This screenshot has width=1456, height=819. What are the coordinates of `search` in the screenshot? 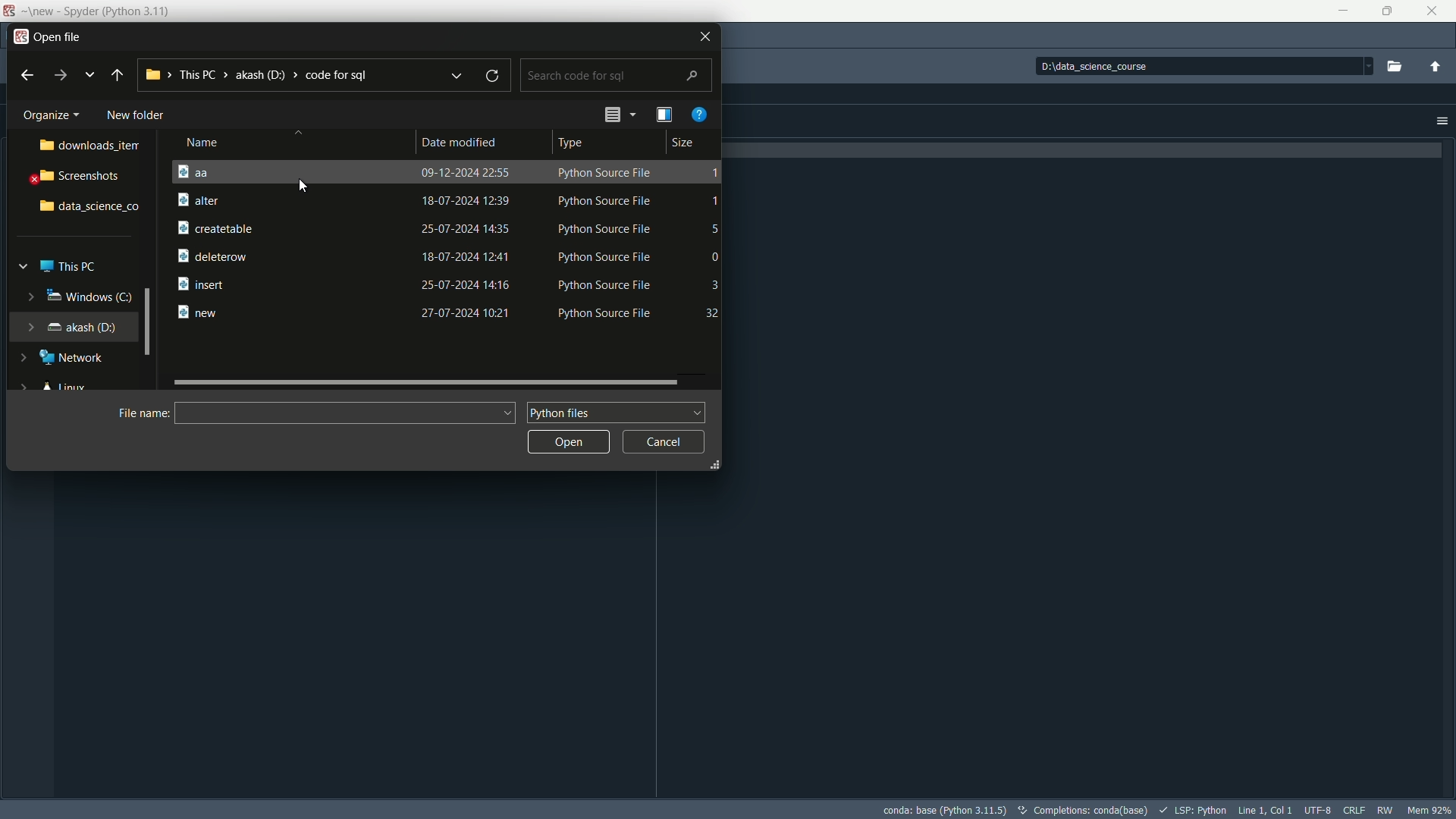 It's located at (617, 76).